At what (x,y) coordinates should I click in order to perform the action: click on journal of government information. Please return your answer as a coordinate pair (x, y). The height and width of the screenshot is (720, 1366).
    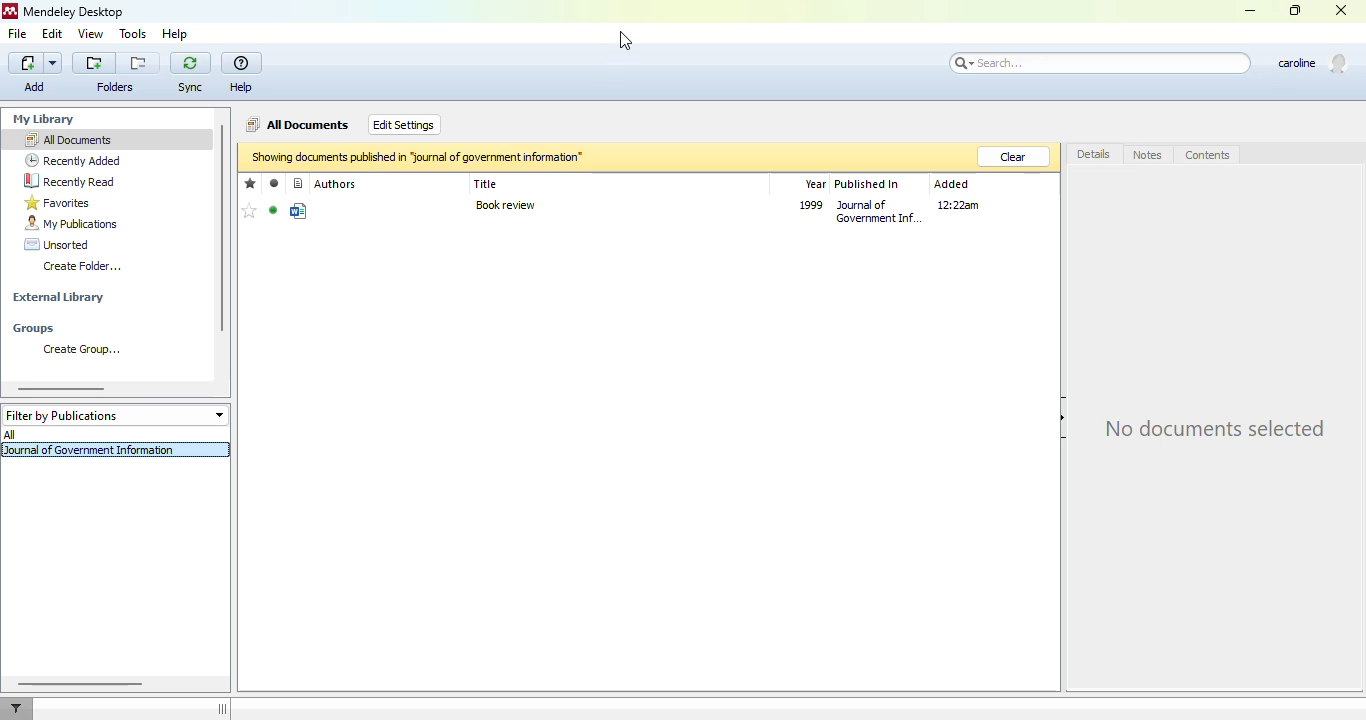
    Looking at the image, I should click on (92, 449).